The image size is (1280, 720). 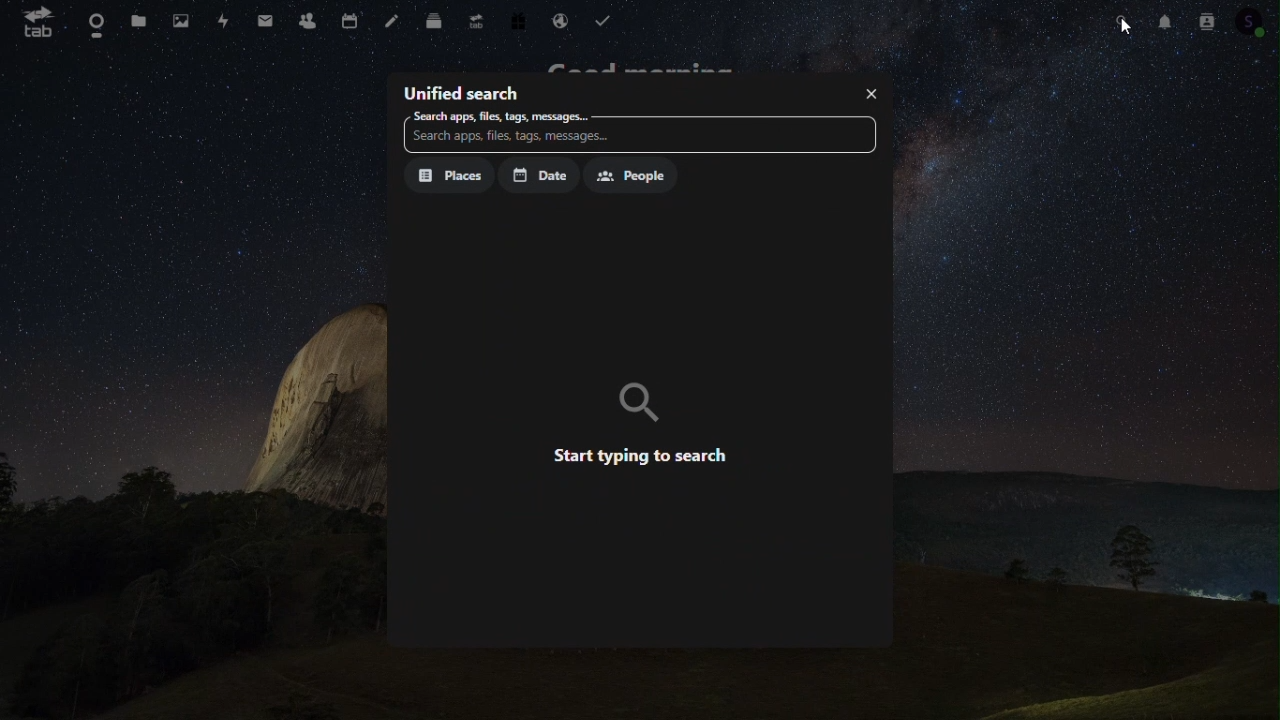 I want to click on Free trial, so click(x=516, y=16).